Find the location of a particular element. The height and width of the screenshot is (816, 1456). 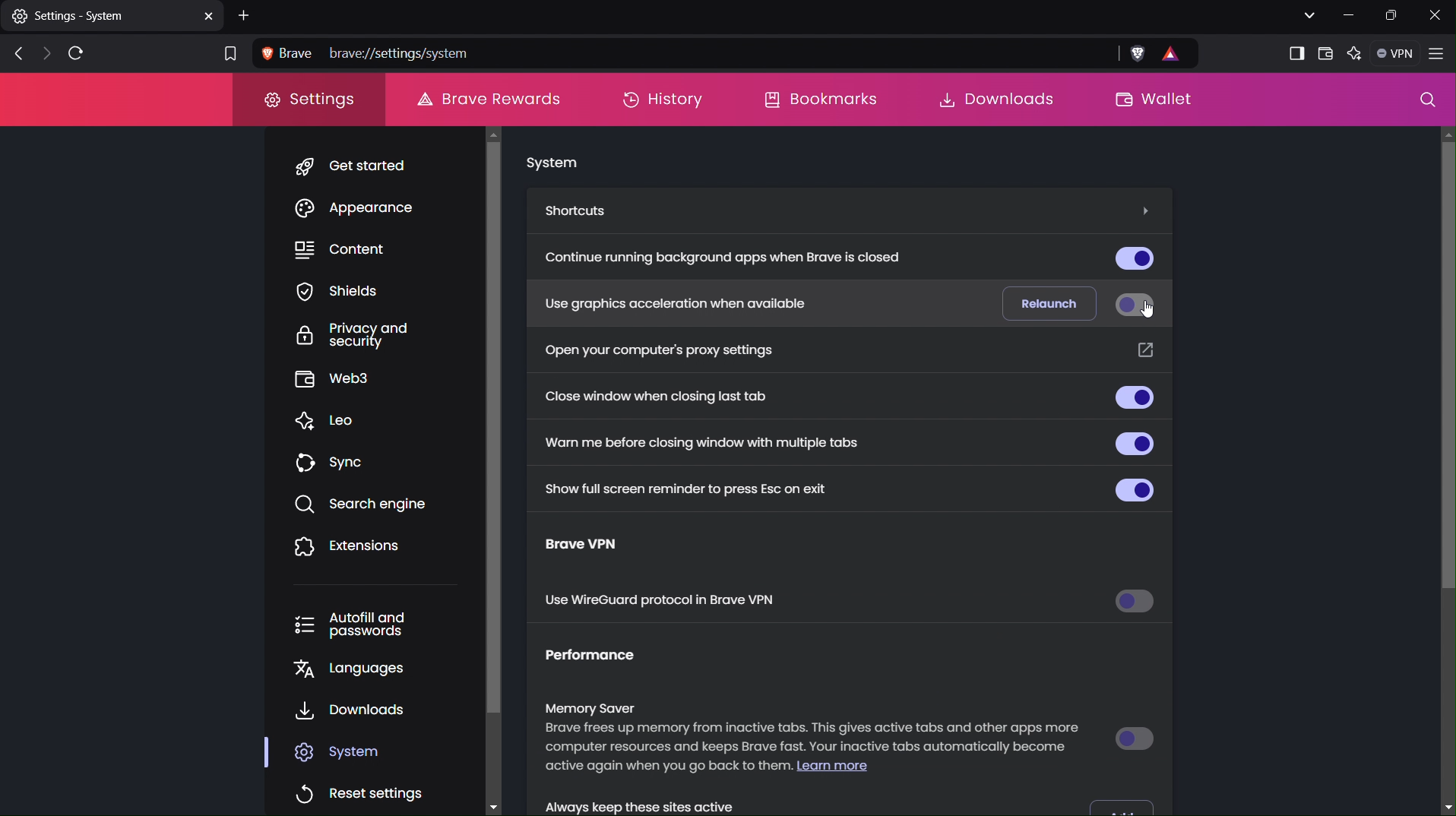

Extensions is located at coordinates (350, 547).